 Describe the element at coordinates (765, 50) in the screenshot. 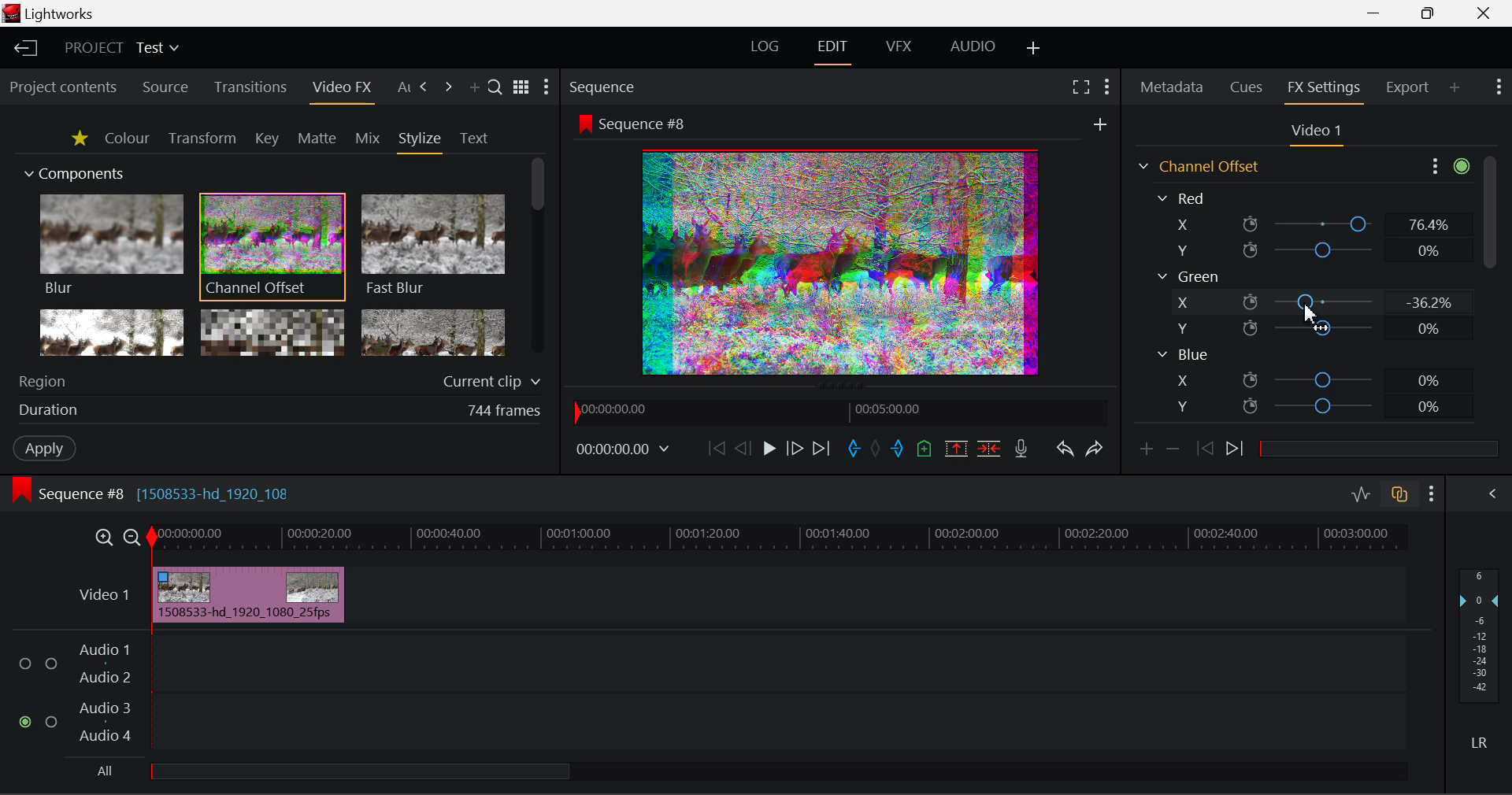

I see `LOG Layout` at that location.